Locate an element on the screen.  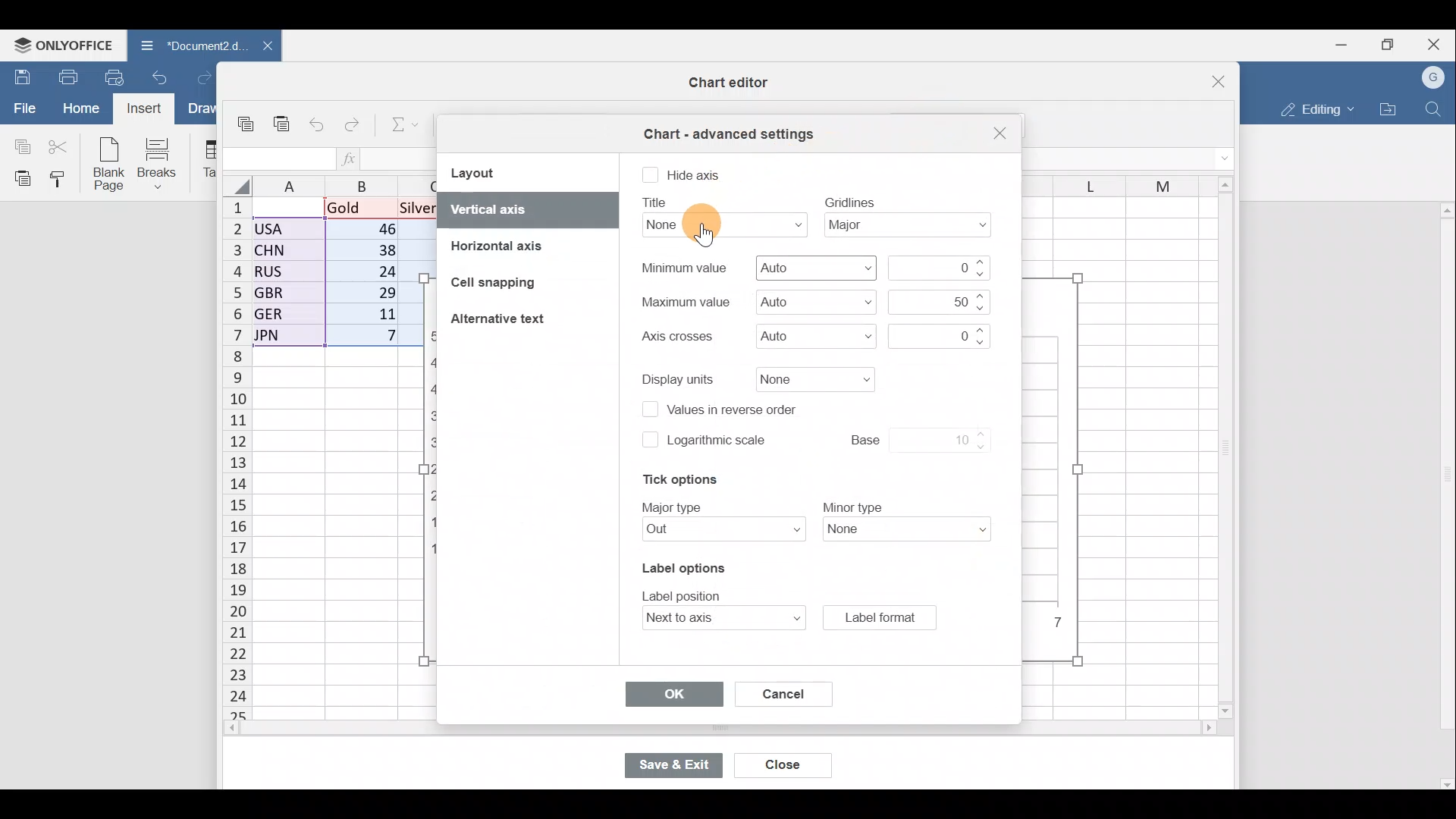
Chart advanced settings is located at coordinates (726, 129).